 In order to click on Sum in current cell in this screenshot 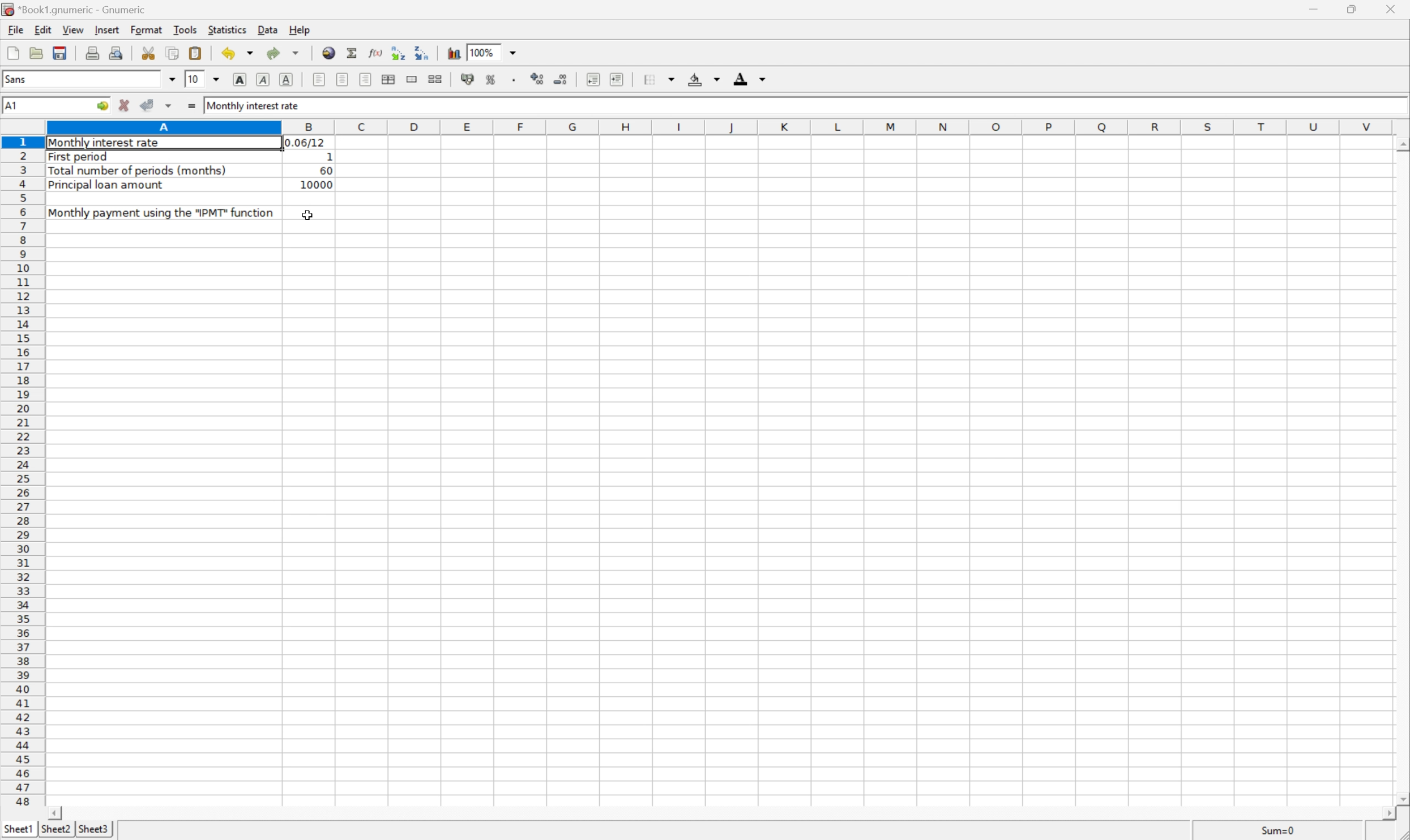, I will do `click(350, 53)`.